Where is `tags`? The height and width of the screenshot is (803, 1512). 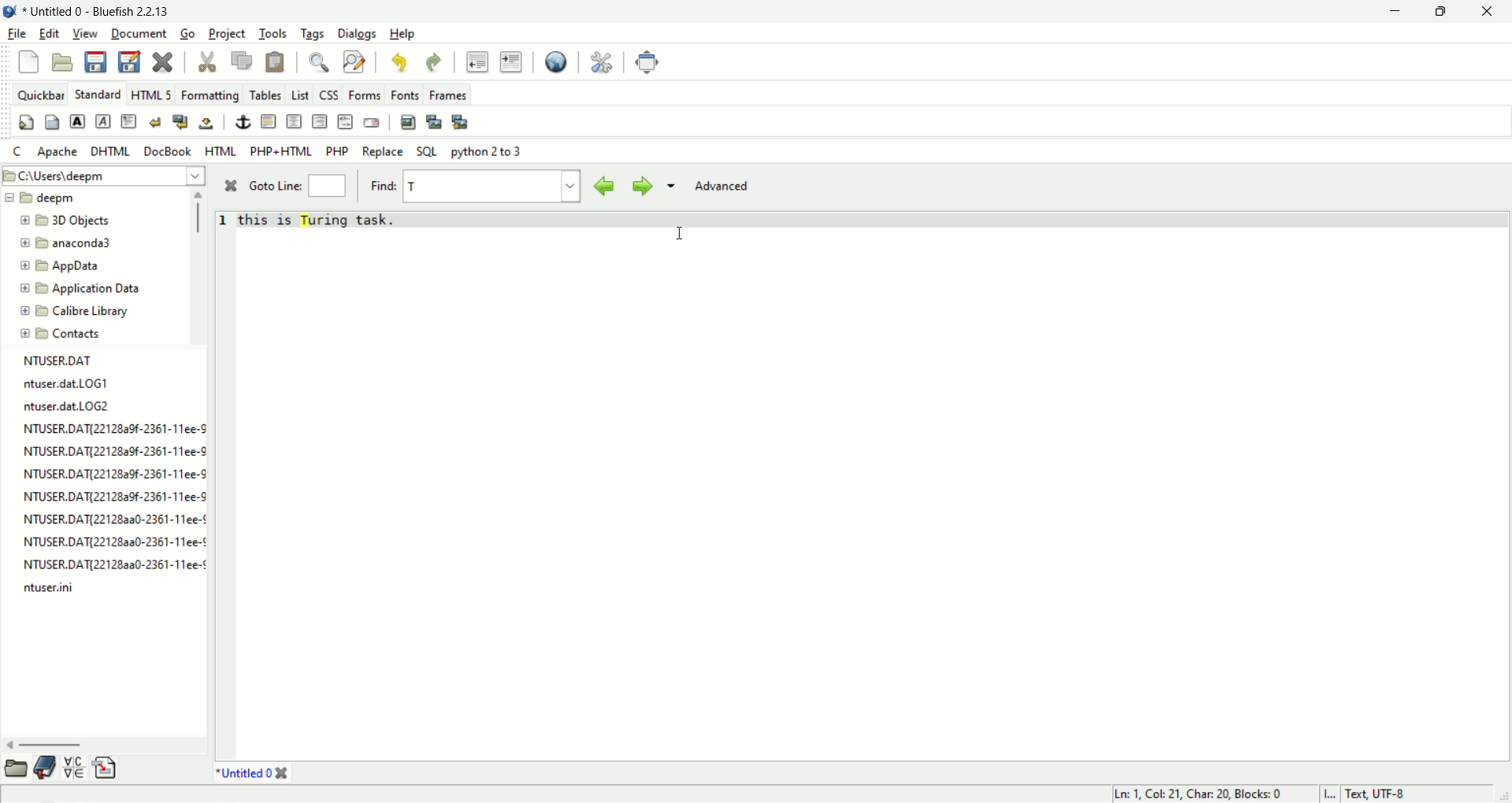
tags is located at coordinates (313, 34).